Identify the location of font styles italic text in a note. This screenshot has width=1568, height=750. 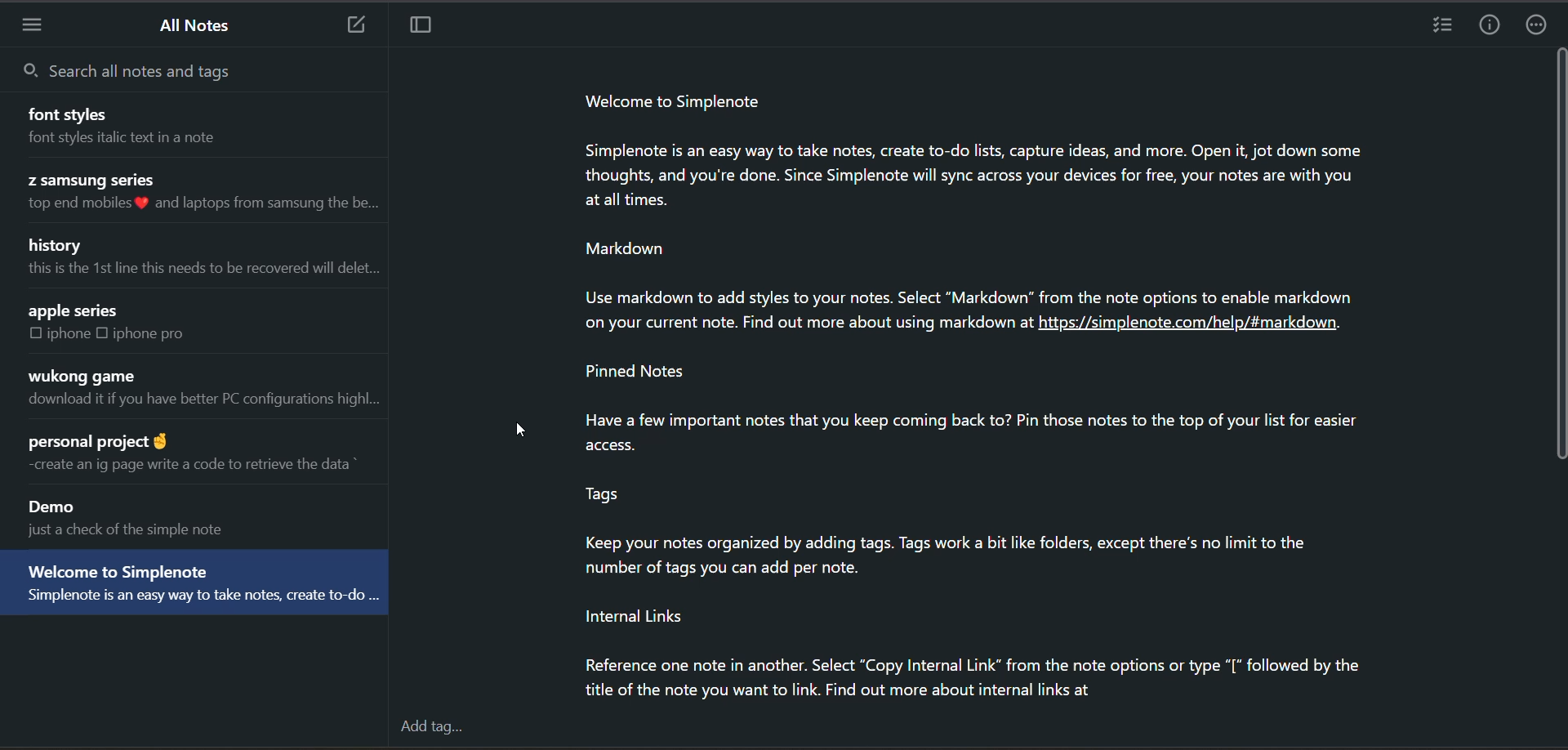
(154, 143).